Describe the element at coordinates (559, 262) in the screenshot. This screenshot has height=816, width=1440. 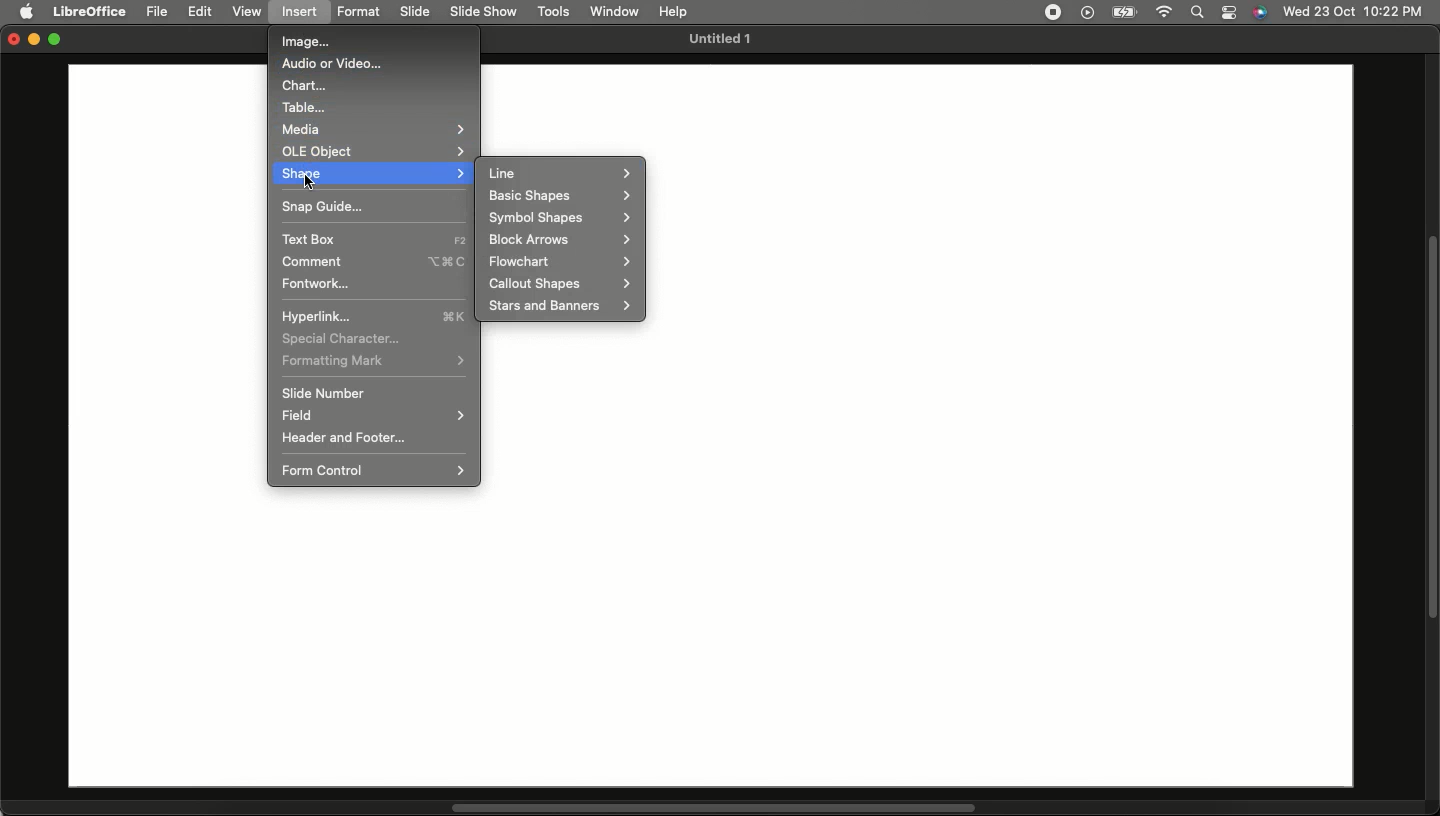
I see `Flowchart` at that location.